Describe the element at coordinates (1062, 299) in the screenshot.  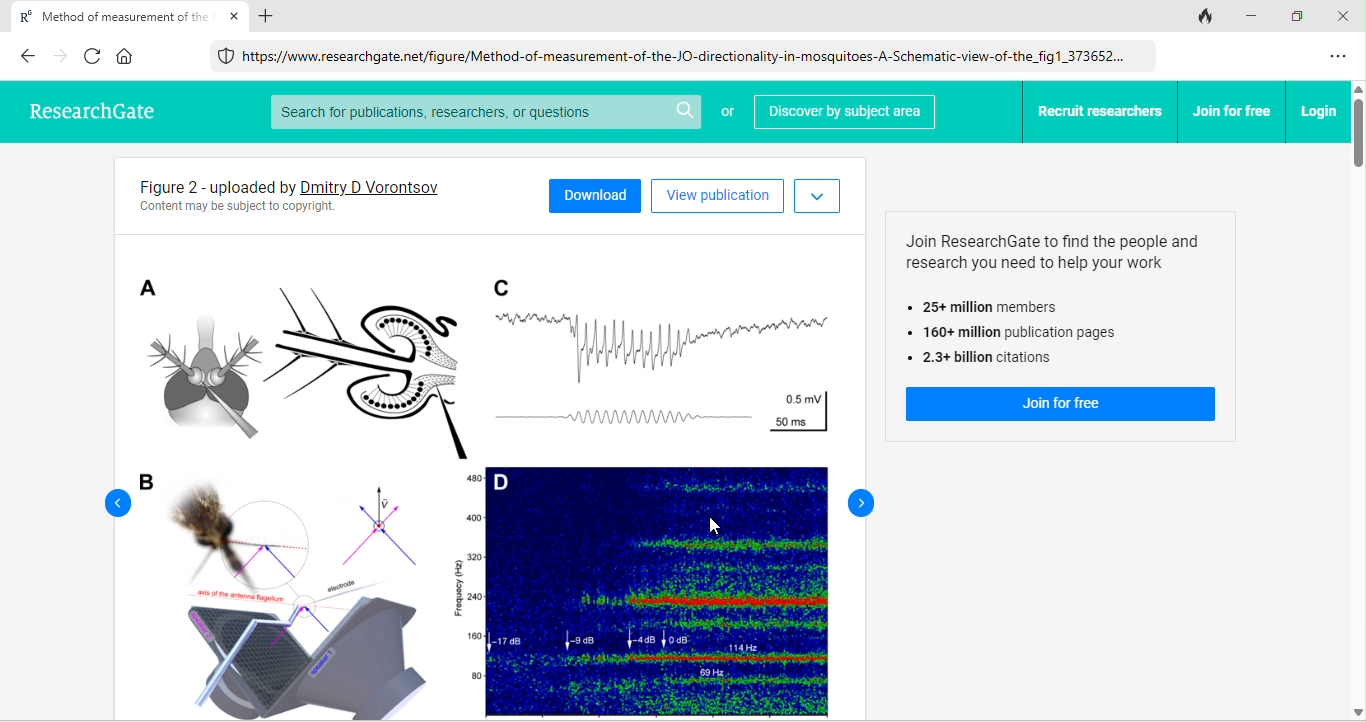
I see `Here is the transcription of the image:  ---  **Join ResearchGate to find the people and research you need to help your work**  - 25+ million members   - 160+ million publication pages   - 2.3+ billion citations  ` at that location.